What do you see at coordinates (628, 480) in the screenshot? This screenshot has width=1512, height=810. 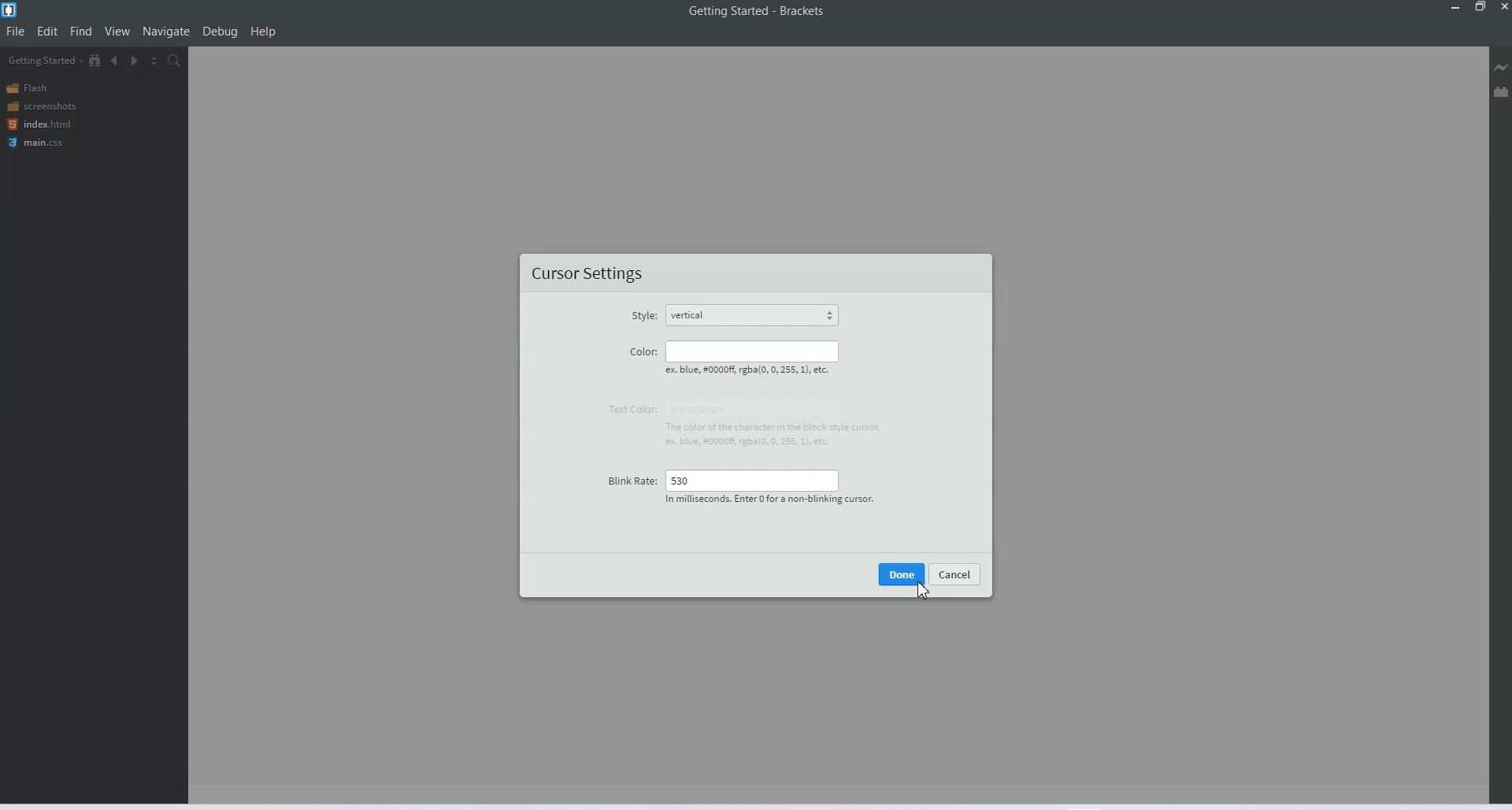 I see `blink rate` at bounding box center [628, 480].